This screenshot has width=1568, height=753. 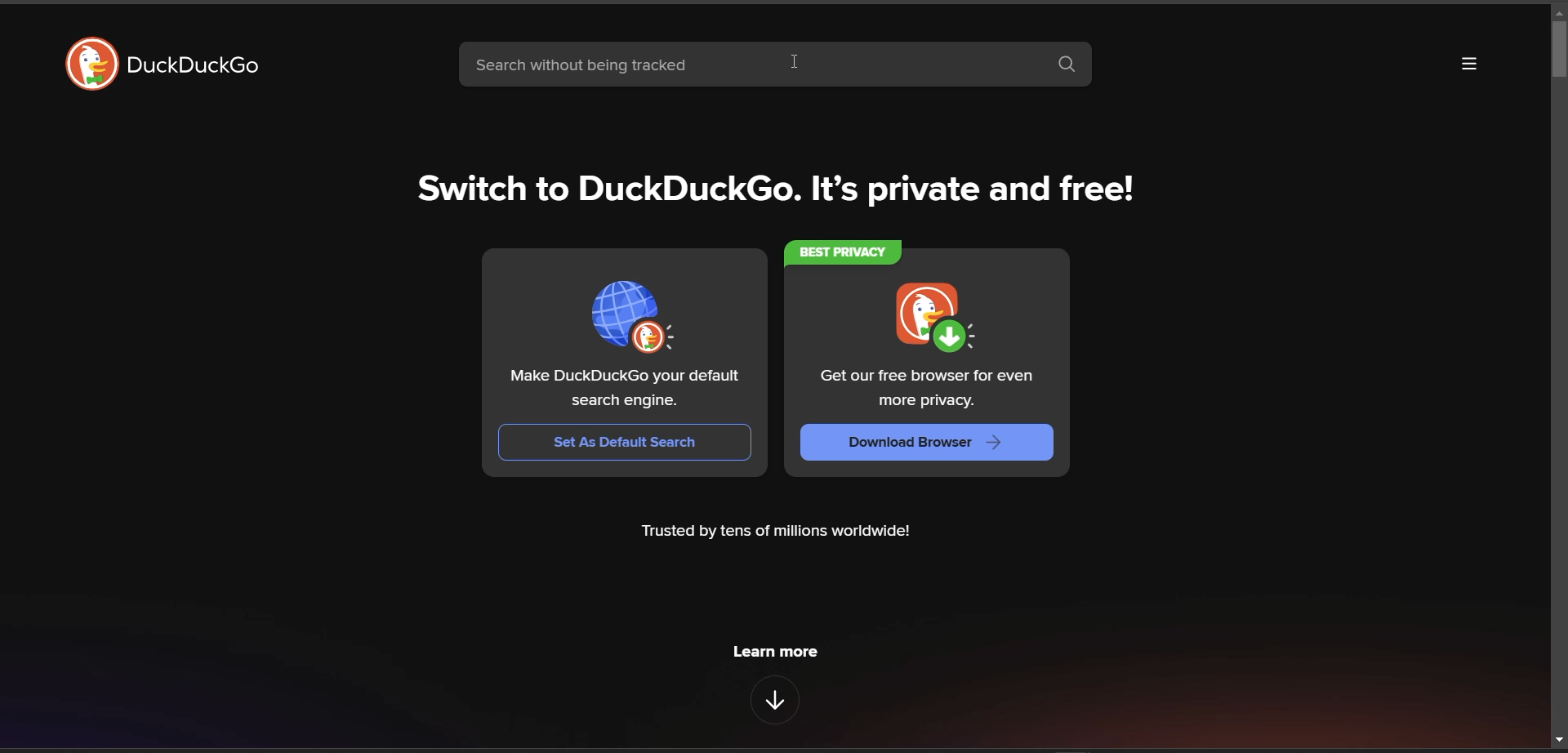 What do you see at coordinates (777, 653) in the screenshot?
I see `learn more` at bounding box center [777, 653].